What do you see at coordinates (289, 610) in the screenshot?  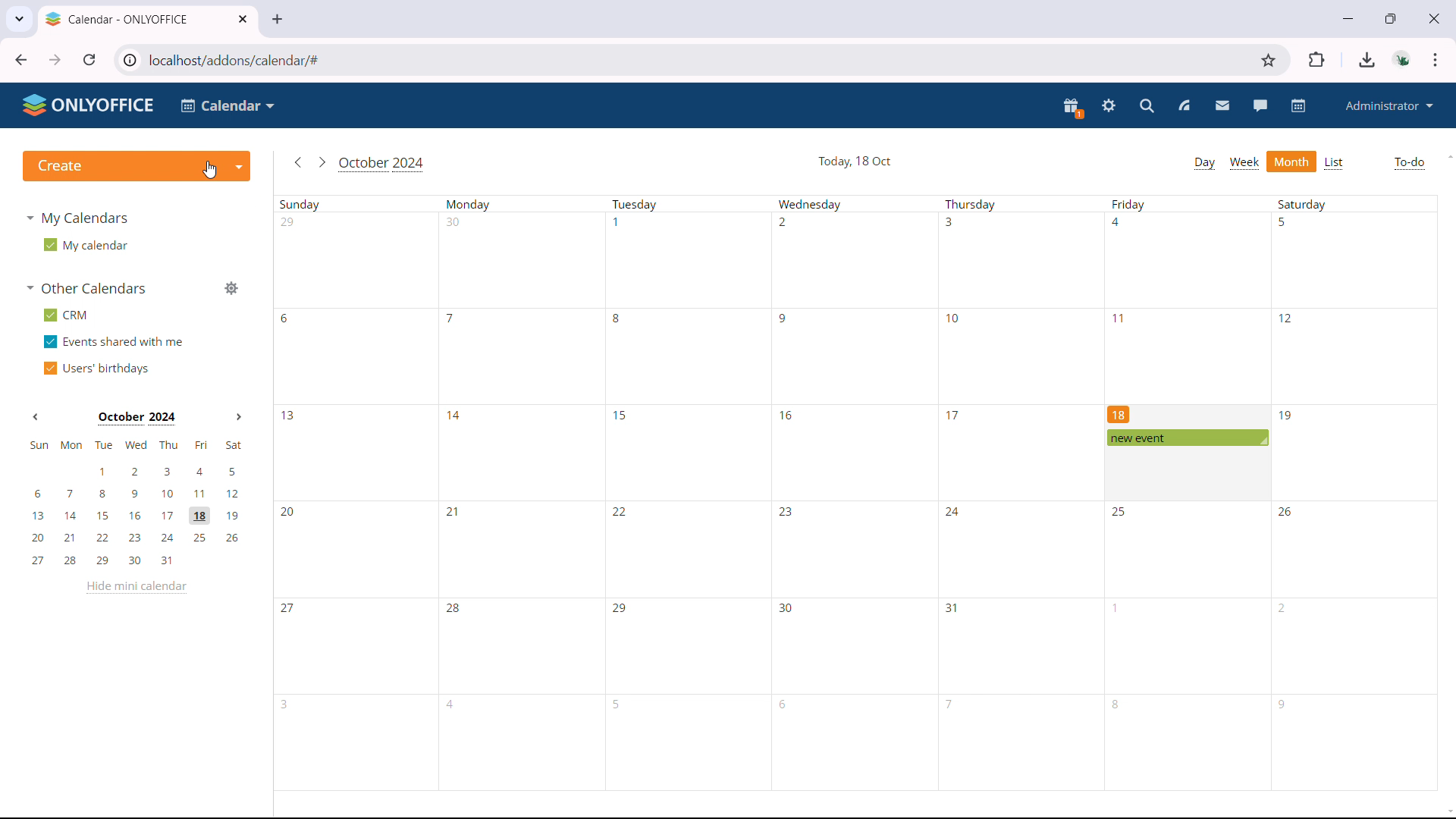 I see `27` at bounding box center [289, 610].